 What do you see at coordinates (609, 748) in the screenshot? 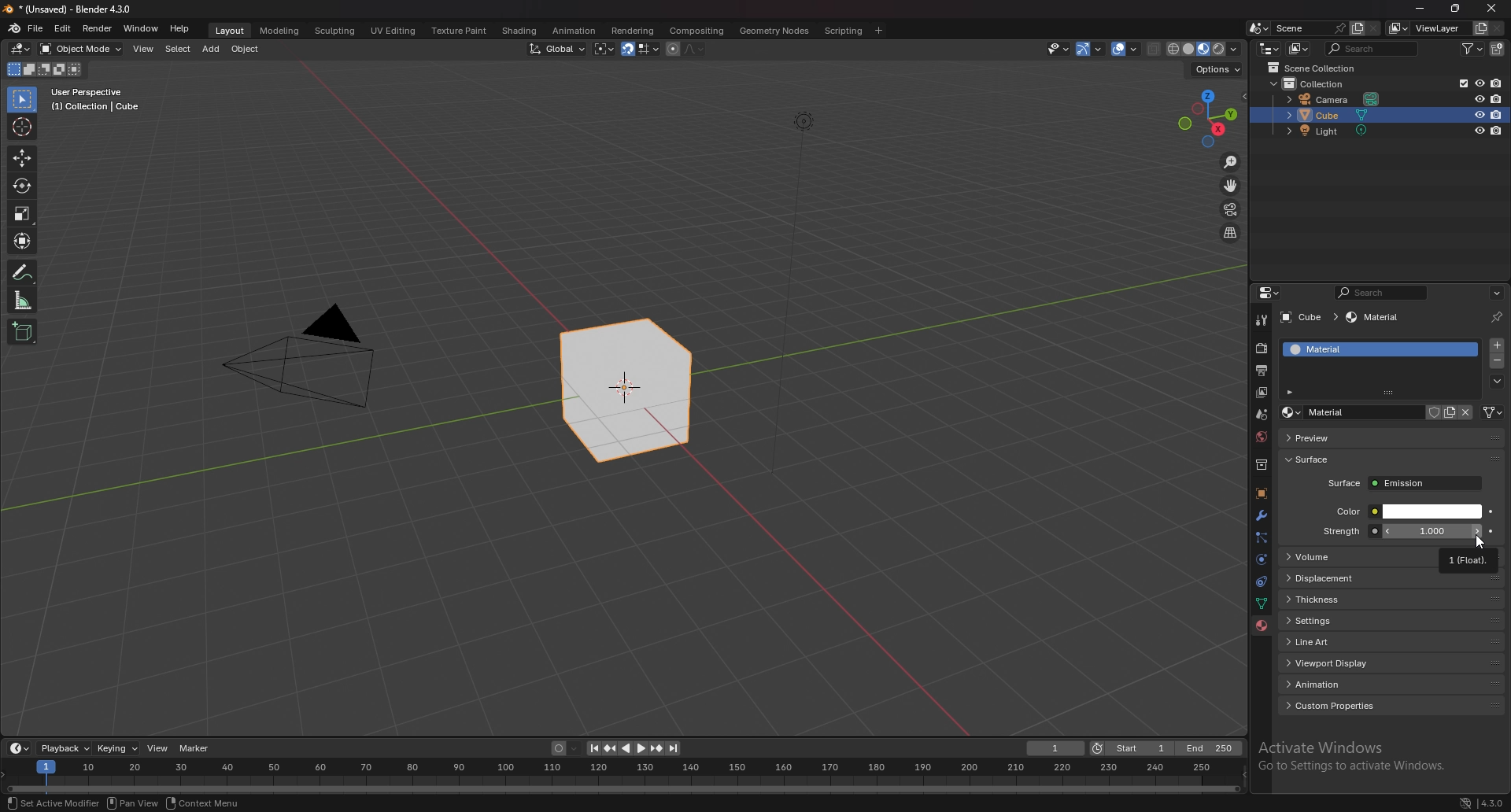
I see `jump to keyframe` at bounding box center [609, 748].